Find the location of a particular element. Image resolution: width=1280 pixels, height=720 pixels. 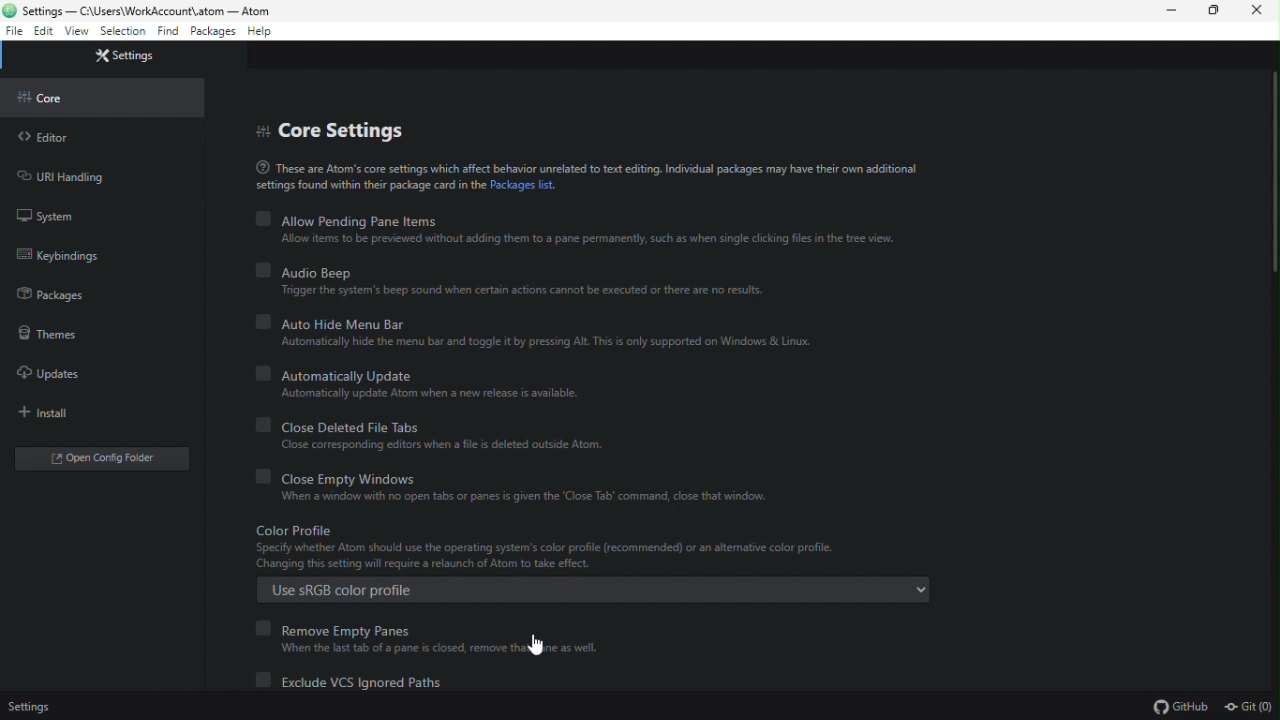

find  is located at coordinates (168, 32).